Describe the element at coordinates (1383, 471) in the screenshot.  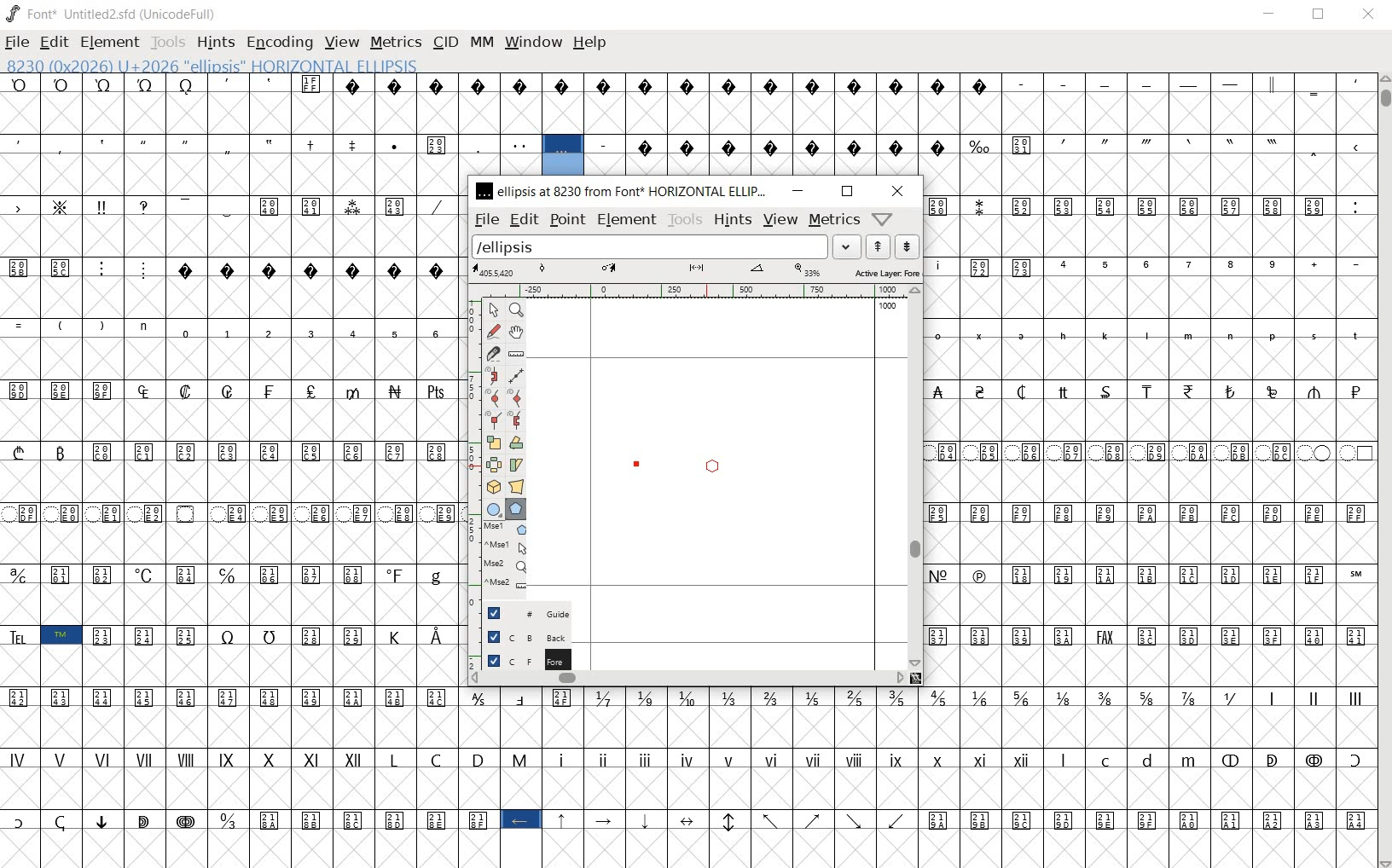
I see `SCROLLBAR` at that location.